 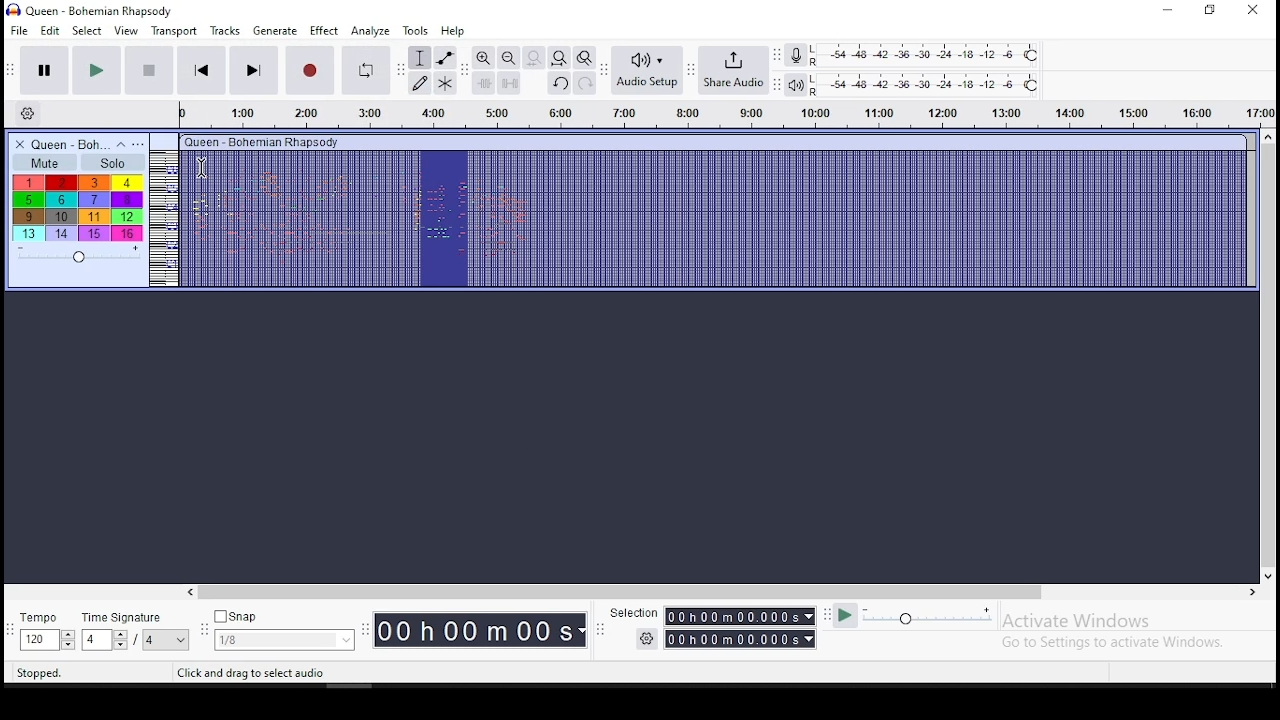 I want to click on time signature, so click(x=138, y=632).